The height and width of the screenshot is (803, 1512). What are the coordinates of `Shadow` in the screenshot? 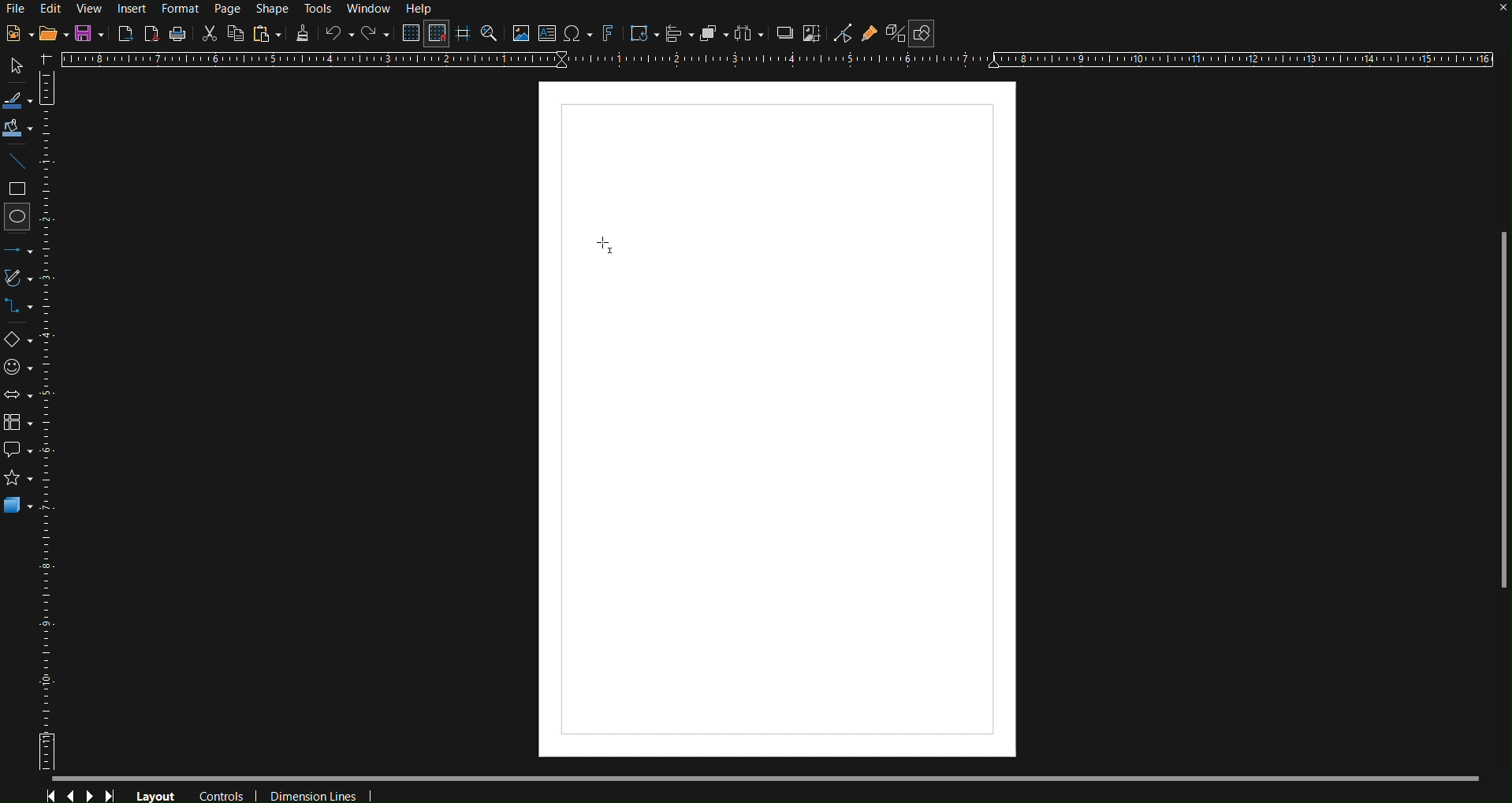 It's located at (781, 35).